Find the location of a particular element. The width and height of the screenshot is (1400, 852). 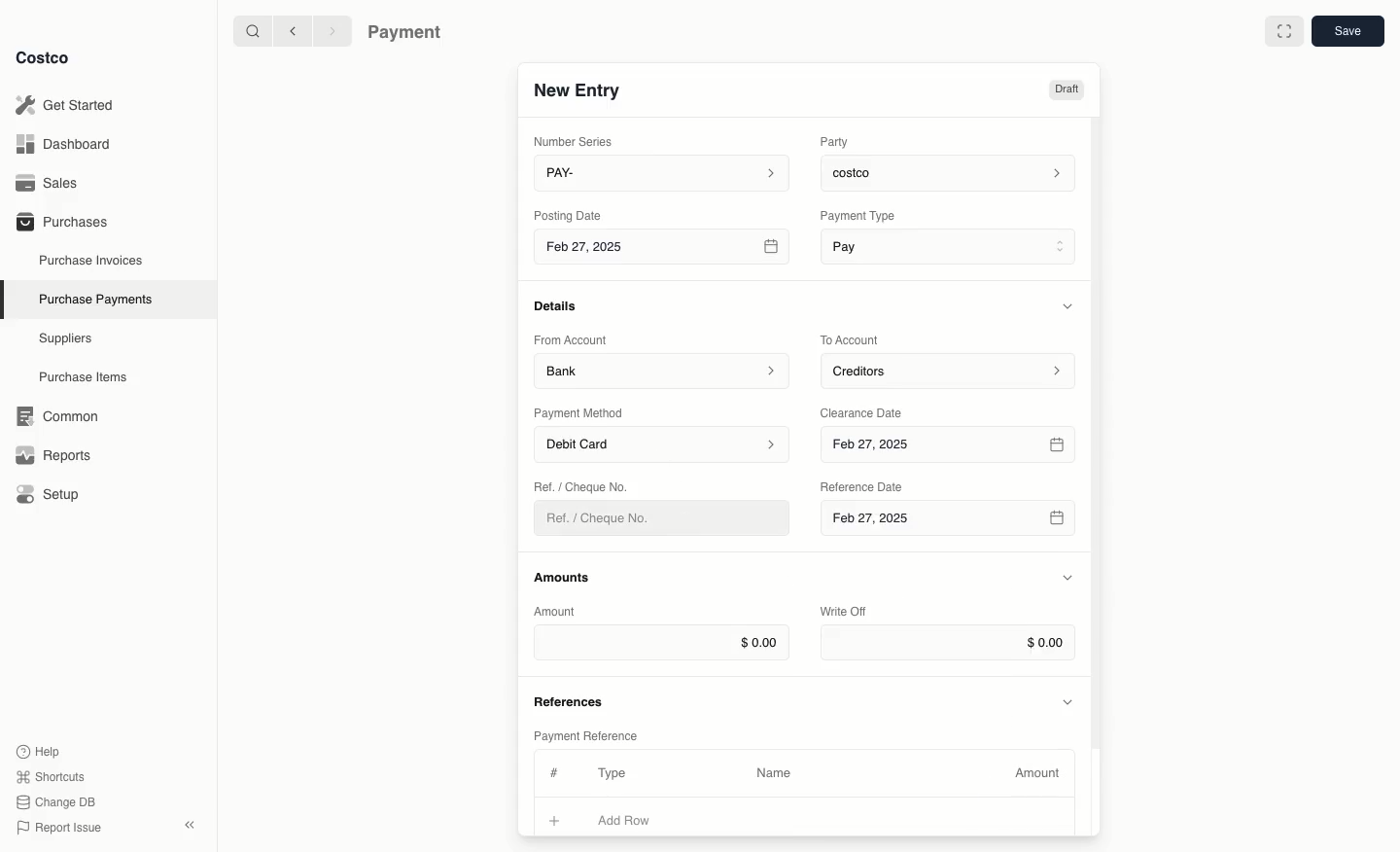

Reports is located at coordinates (51, 452).